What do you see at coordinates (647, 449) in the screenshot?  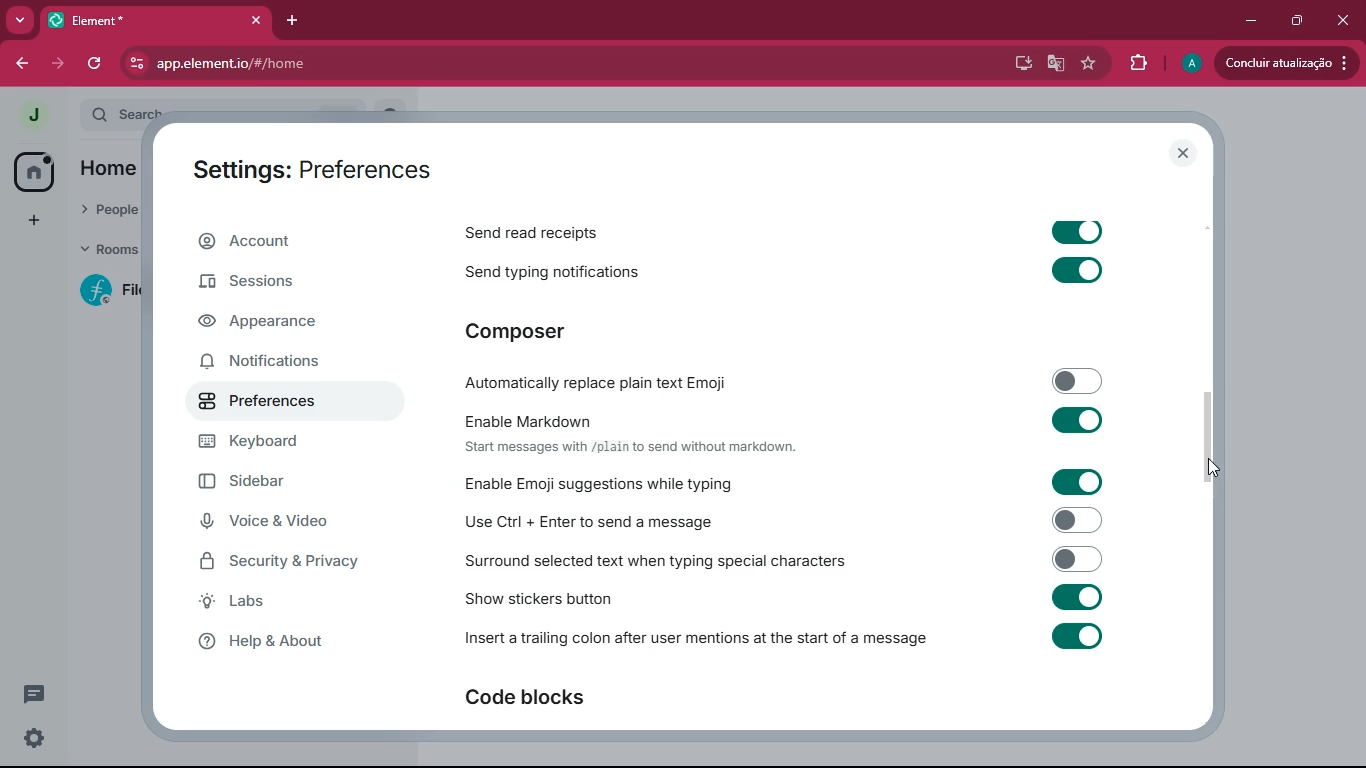 I see `‘Start messages with /plain to send without markdown.` at bounding box center [647, 449].